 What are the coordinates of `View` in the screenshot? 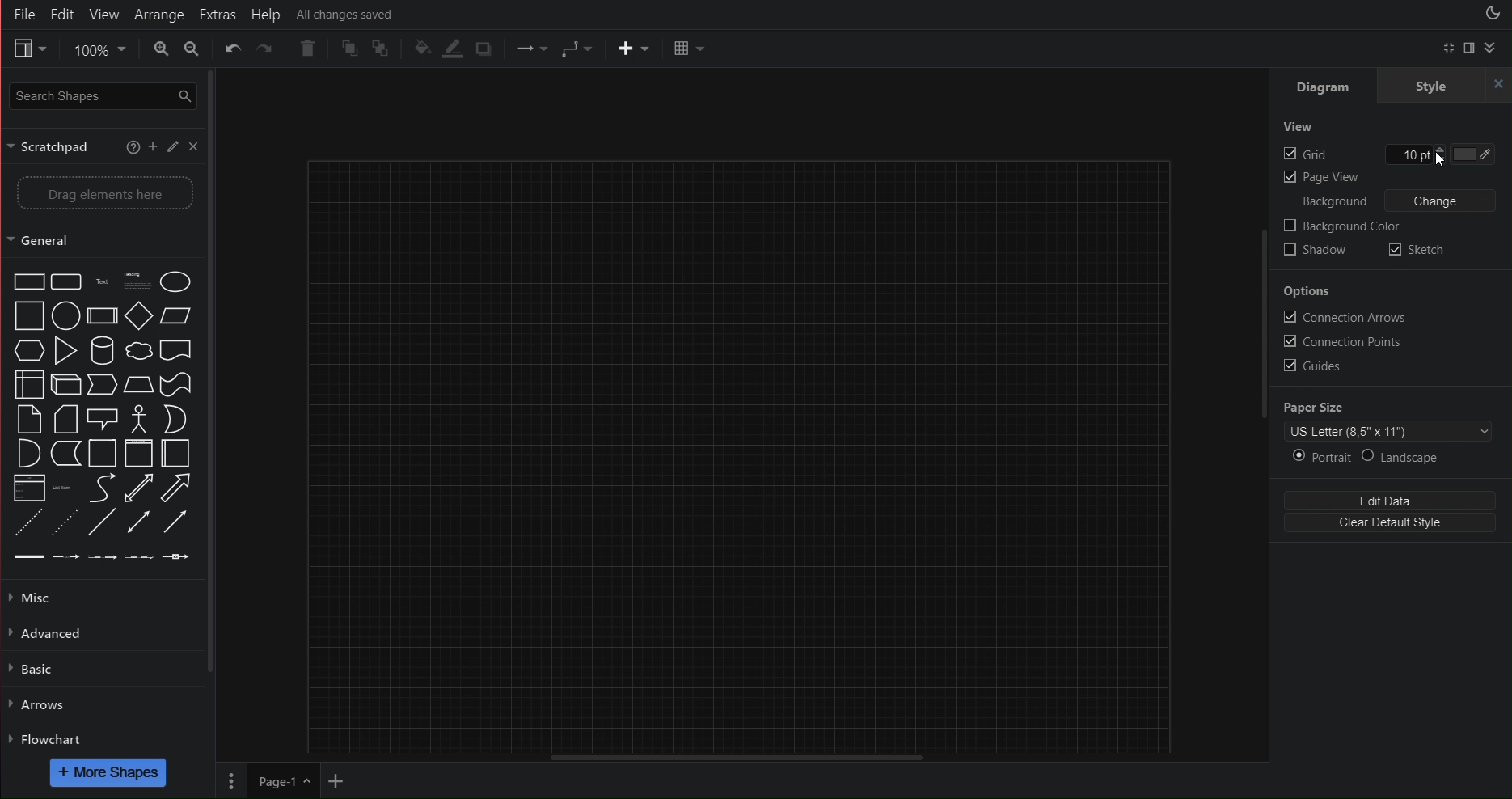 It's located at (104, 14).